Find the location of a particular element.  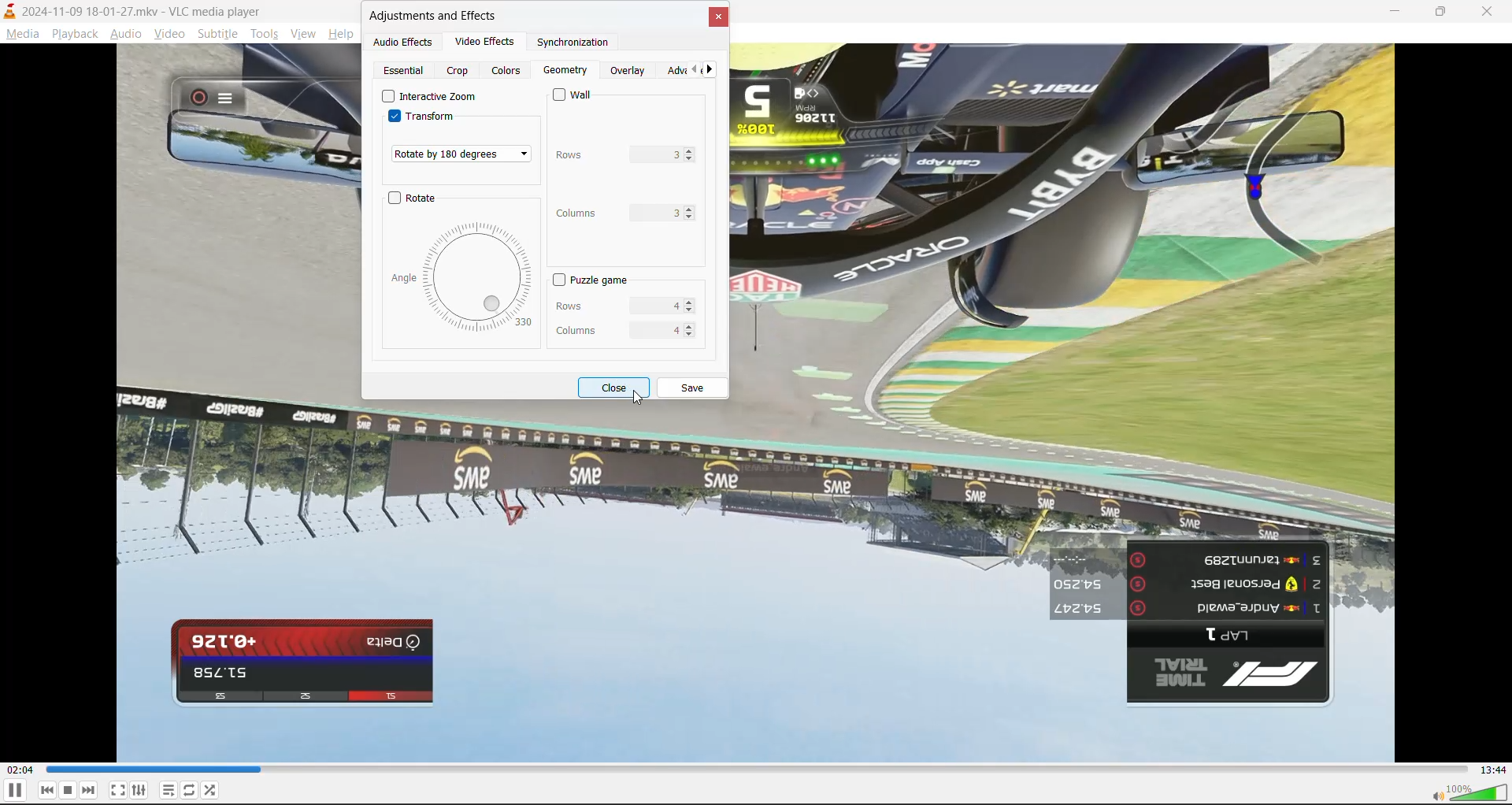

next is located at coordinates (90, 790).